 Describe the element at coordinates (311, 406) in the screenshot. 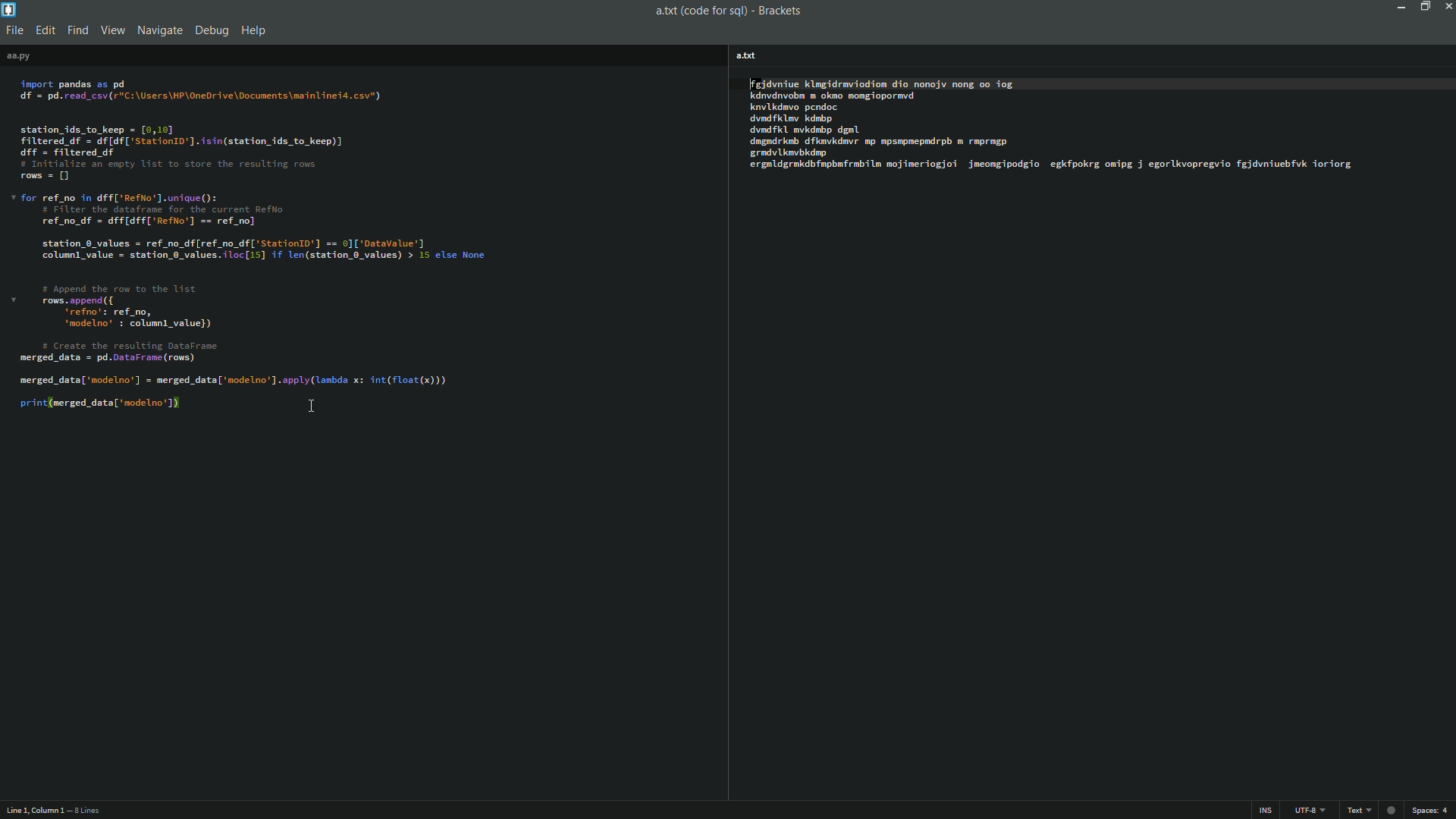

I see `cursor` at that location.